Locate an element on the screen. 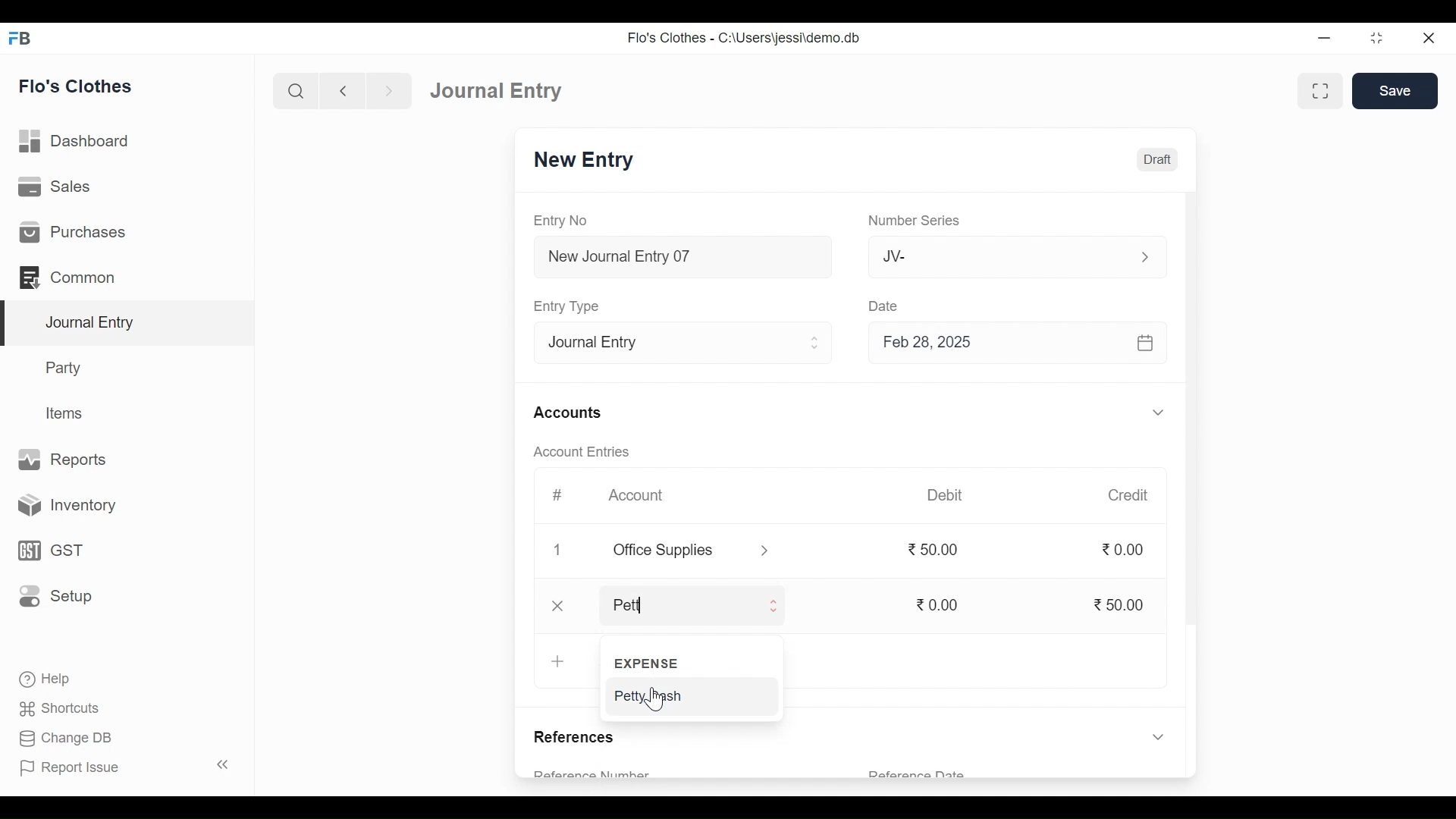 The width and height of the screenshot is (1456, 819). Flo's Clothes is located at coordinates (76, 86).